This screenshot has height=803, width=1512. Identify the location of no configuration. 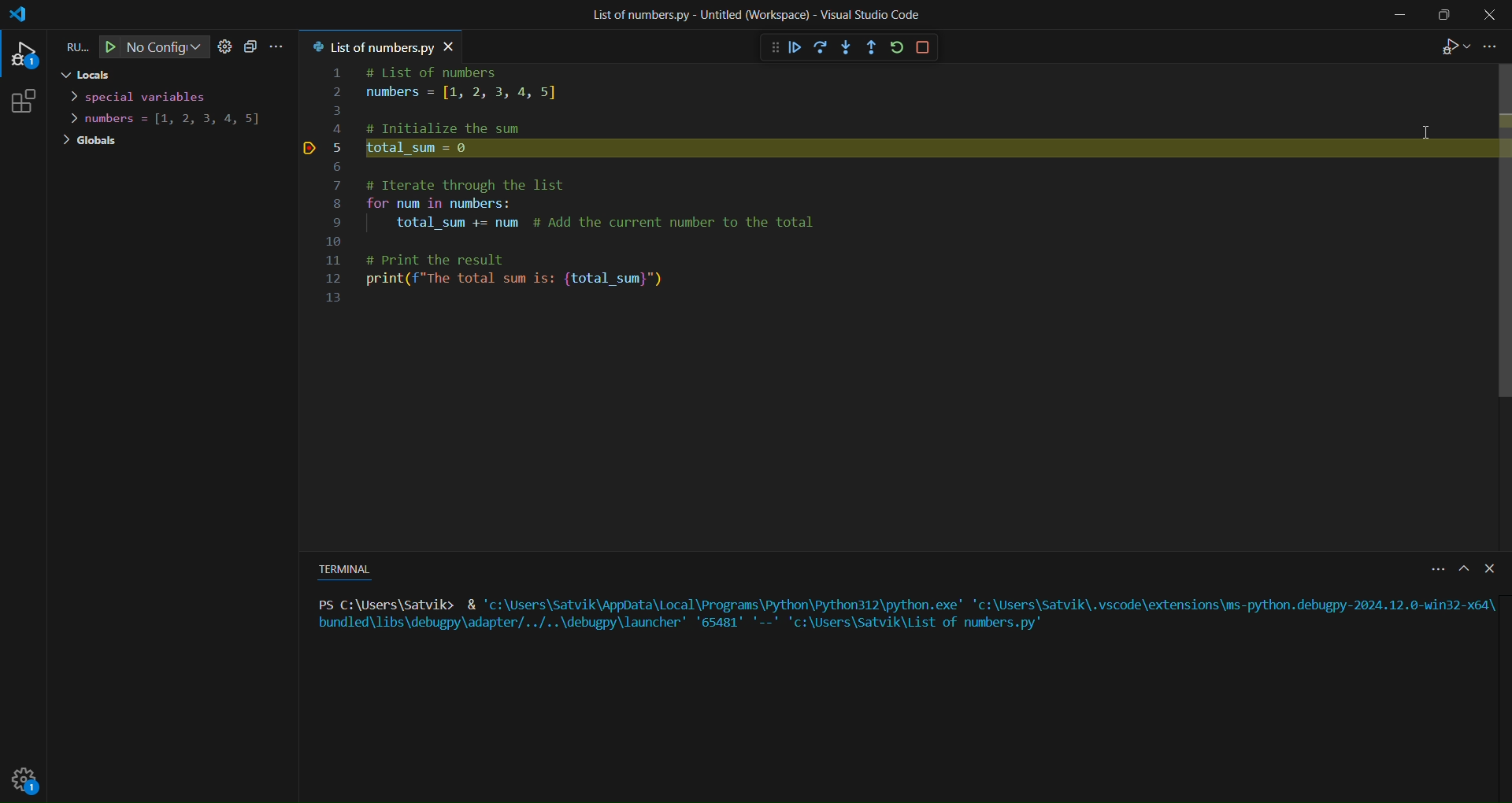
(167, 48).